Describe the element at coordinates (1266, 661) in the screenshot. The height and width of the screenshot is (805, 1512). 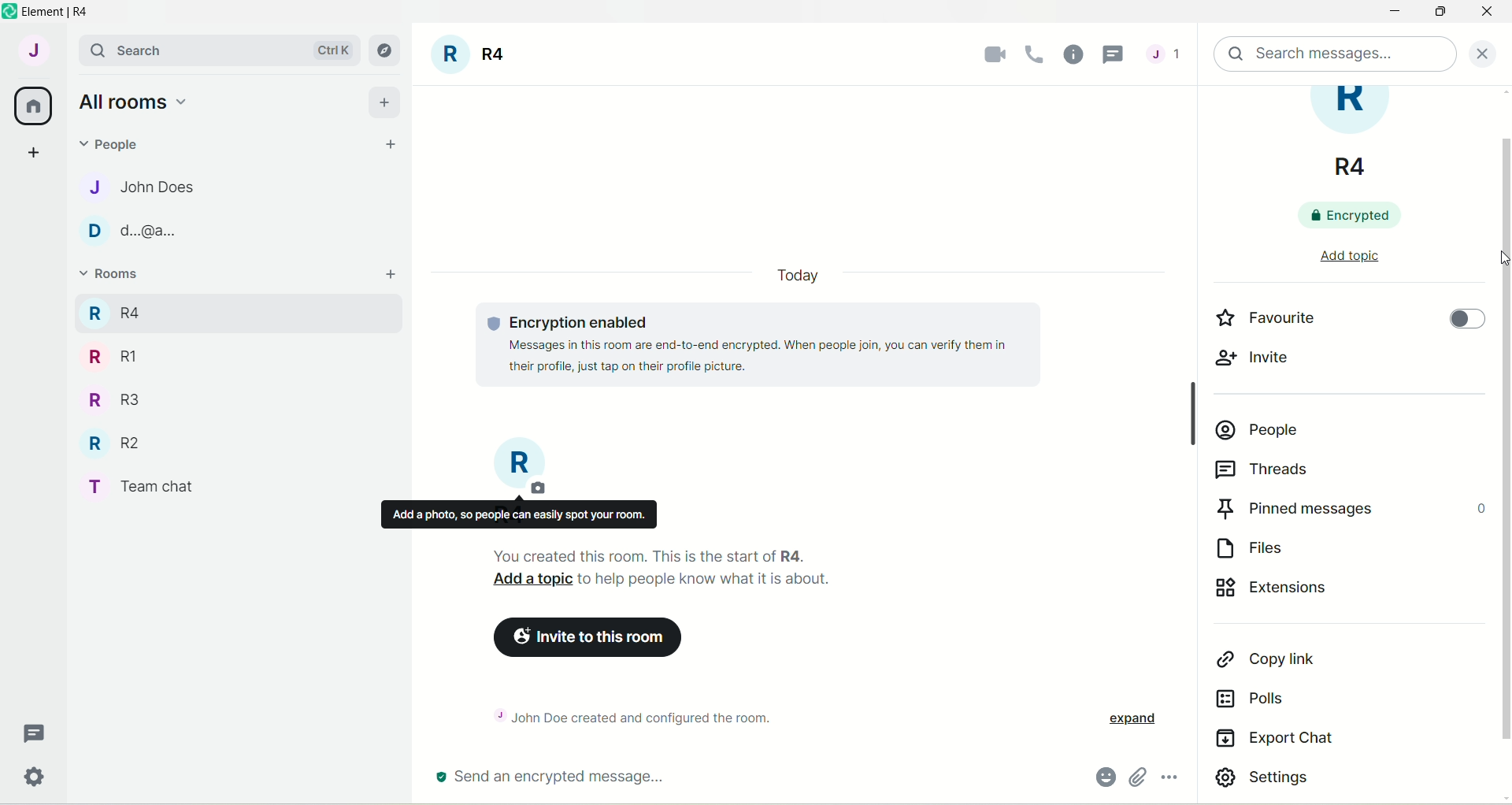
I see `copy link` at that location.